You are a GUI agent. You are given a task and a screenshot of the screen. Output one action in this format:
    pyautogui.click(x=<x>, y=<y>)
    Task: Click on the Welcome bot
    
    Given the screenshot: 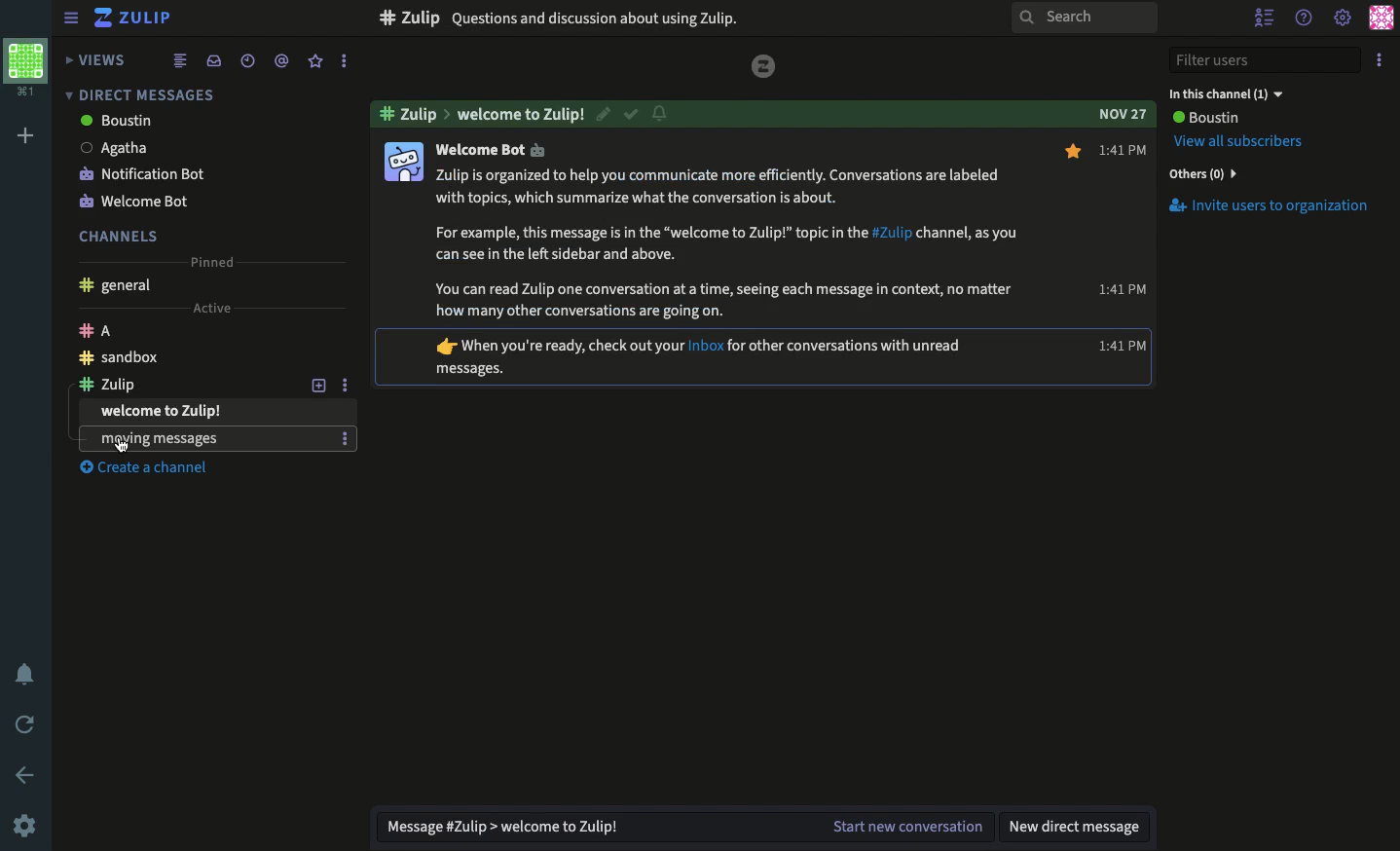 What is the action you would take?
    pyautogui.click(x=184, y=200)
    